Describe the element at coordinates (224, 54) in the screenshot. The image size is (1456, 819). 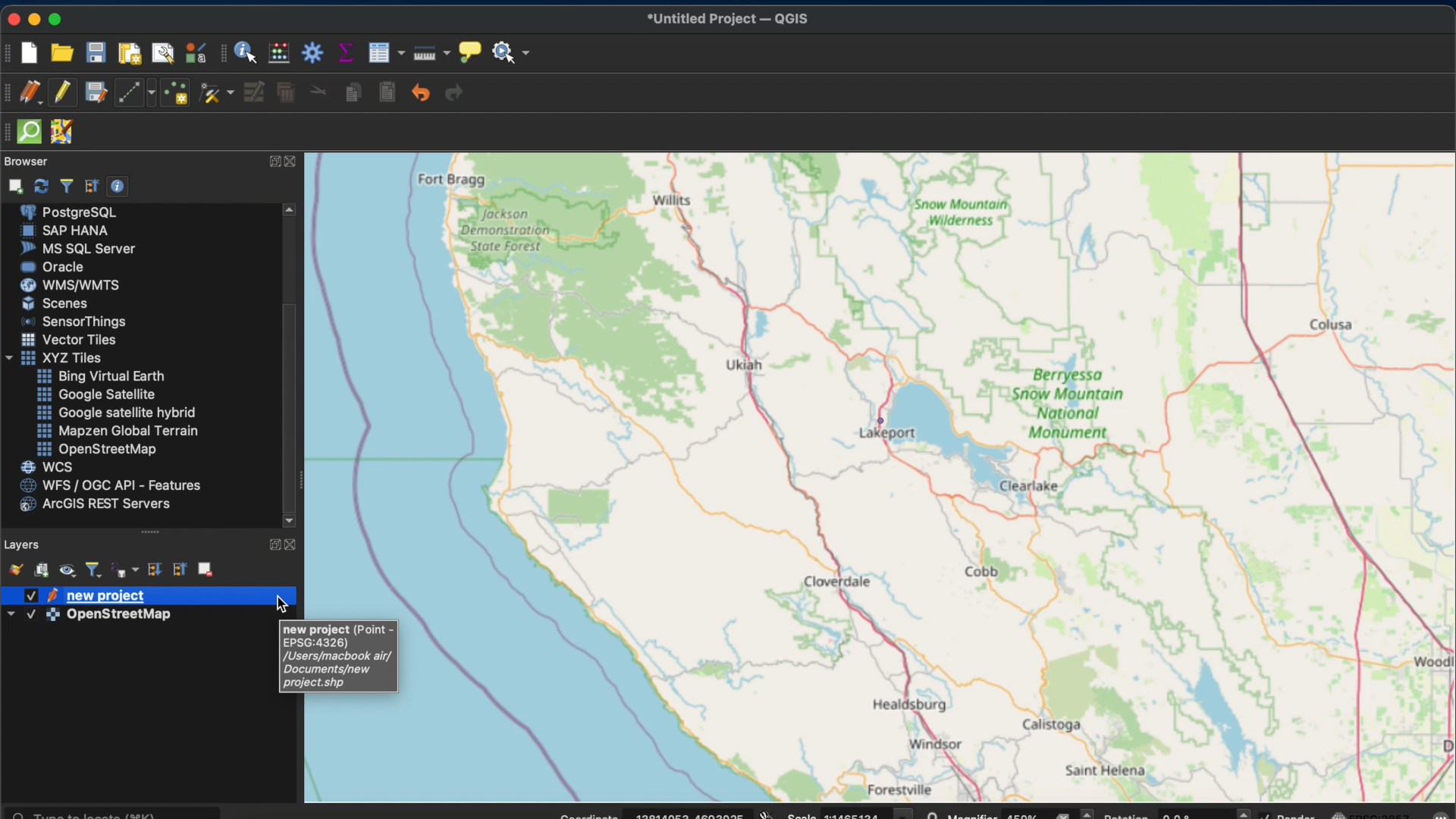
I see `attributes toolbar` at that location.